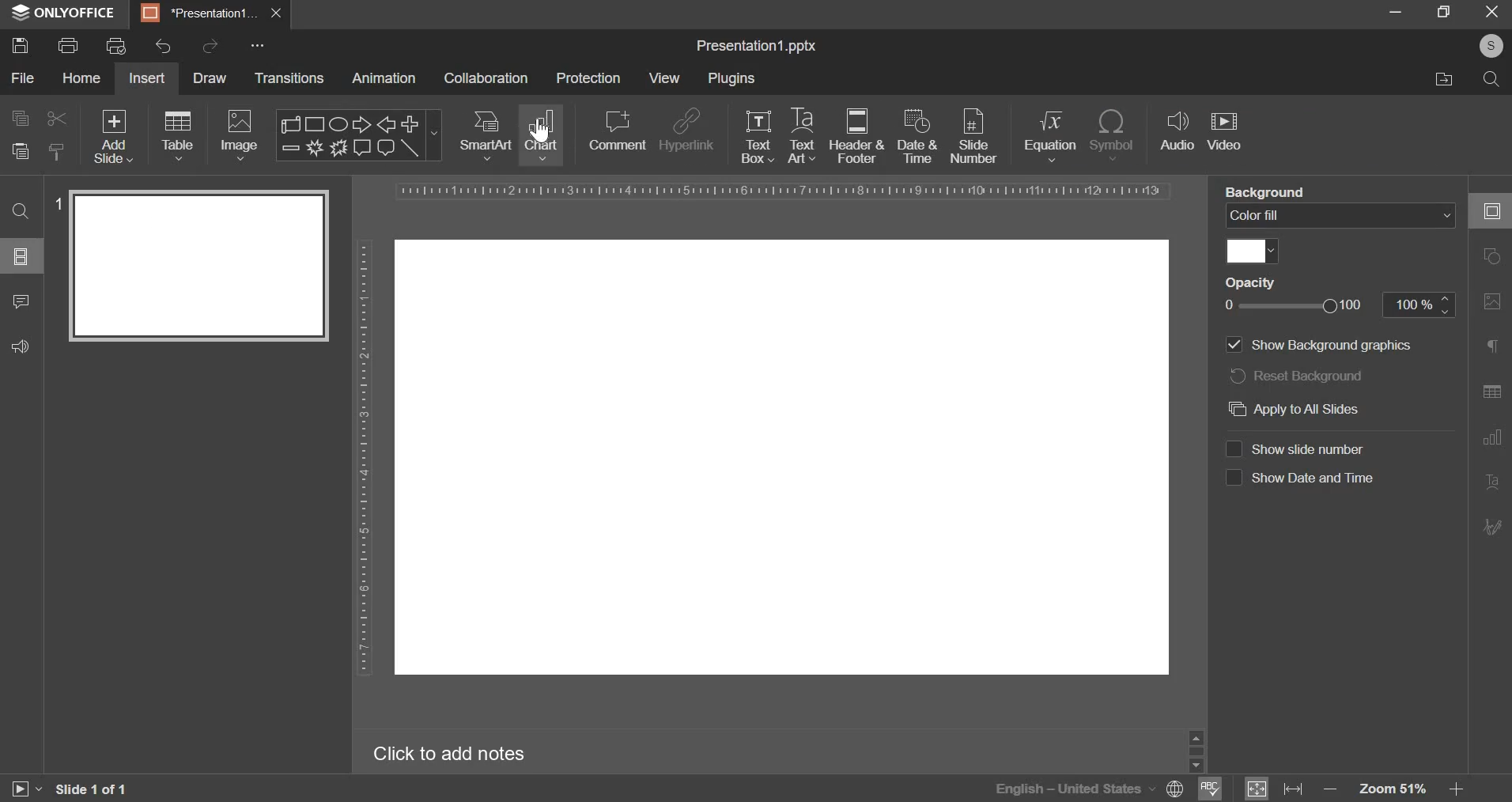 The width and height of the screenshot is (1512, 802). Describe the element at coordinates (1295, 306) in the screenshot. I see `opacity` at that location.